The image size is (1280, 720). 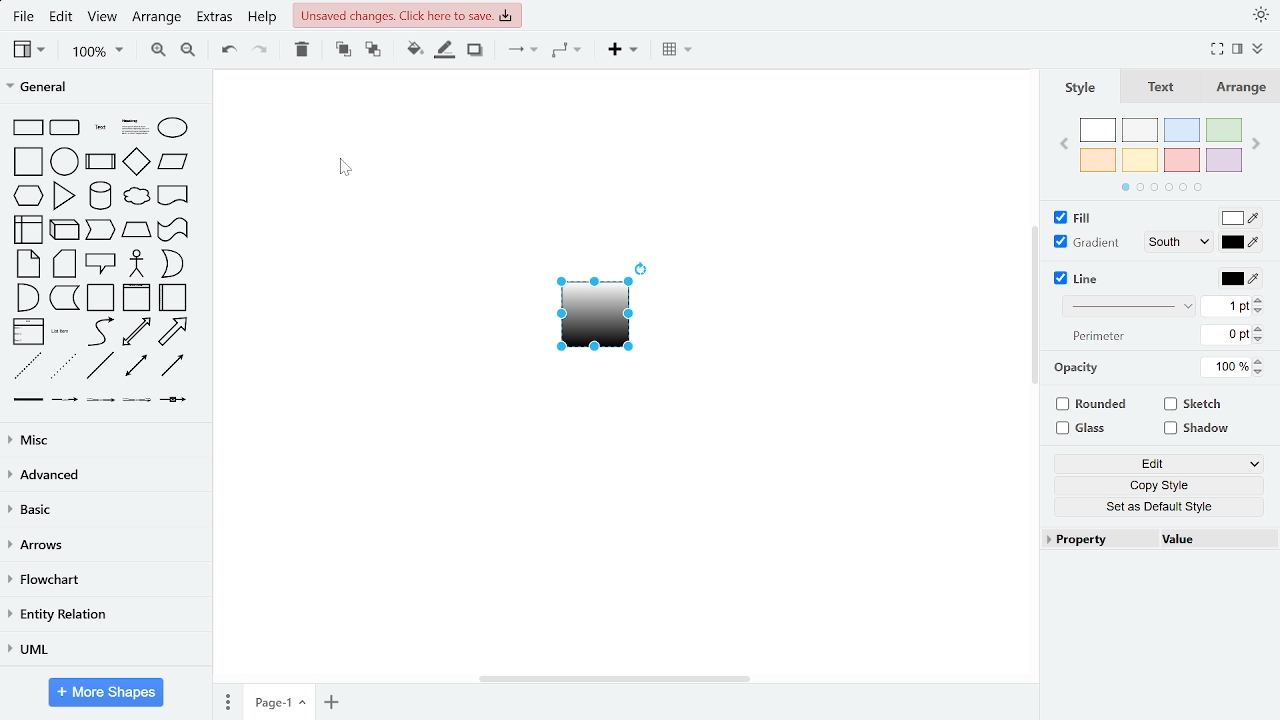 I want to click on decrease perimeter, so click(x=1261, y=312).